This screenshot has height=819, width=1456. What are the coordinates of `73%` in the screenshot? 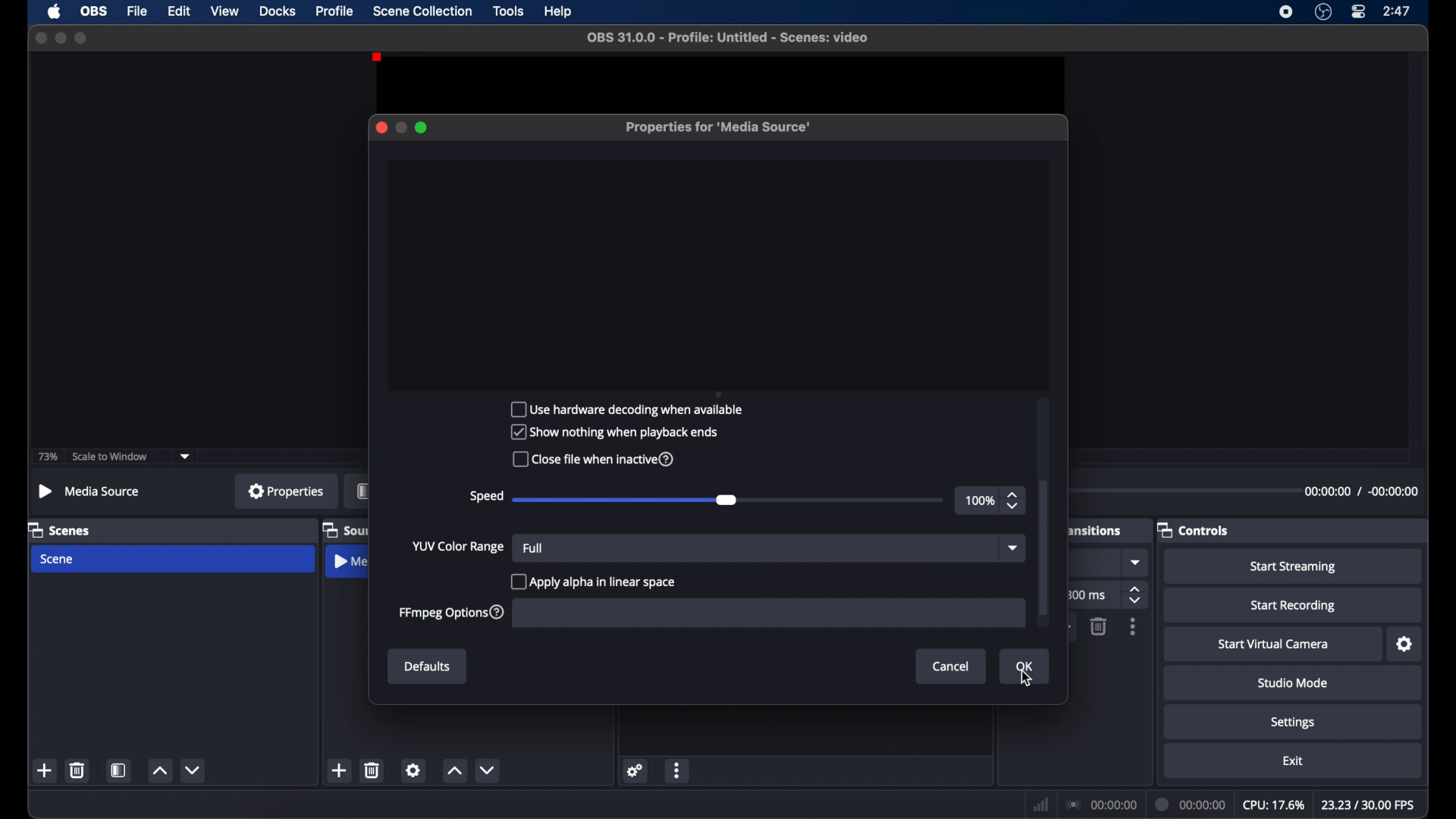 It's located at (49, 457).